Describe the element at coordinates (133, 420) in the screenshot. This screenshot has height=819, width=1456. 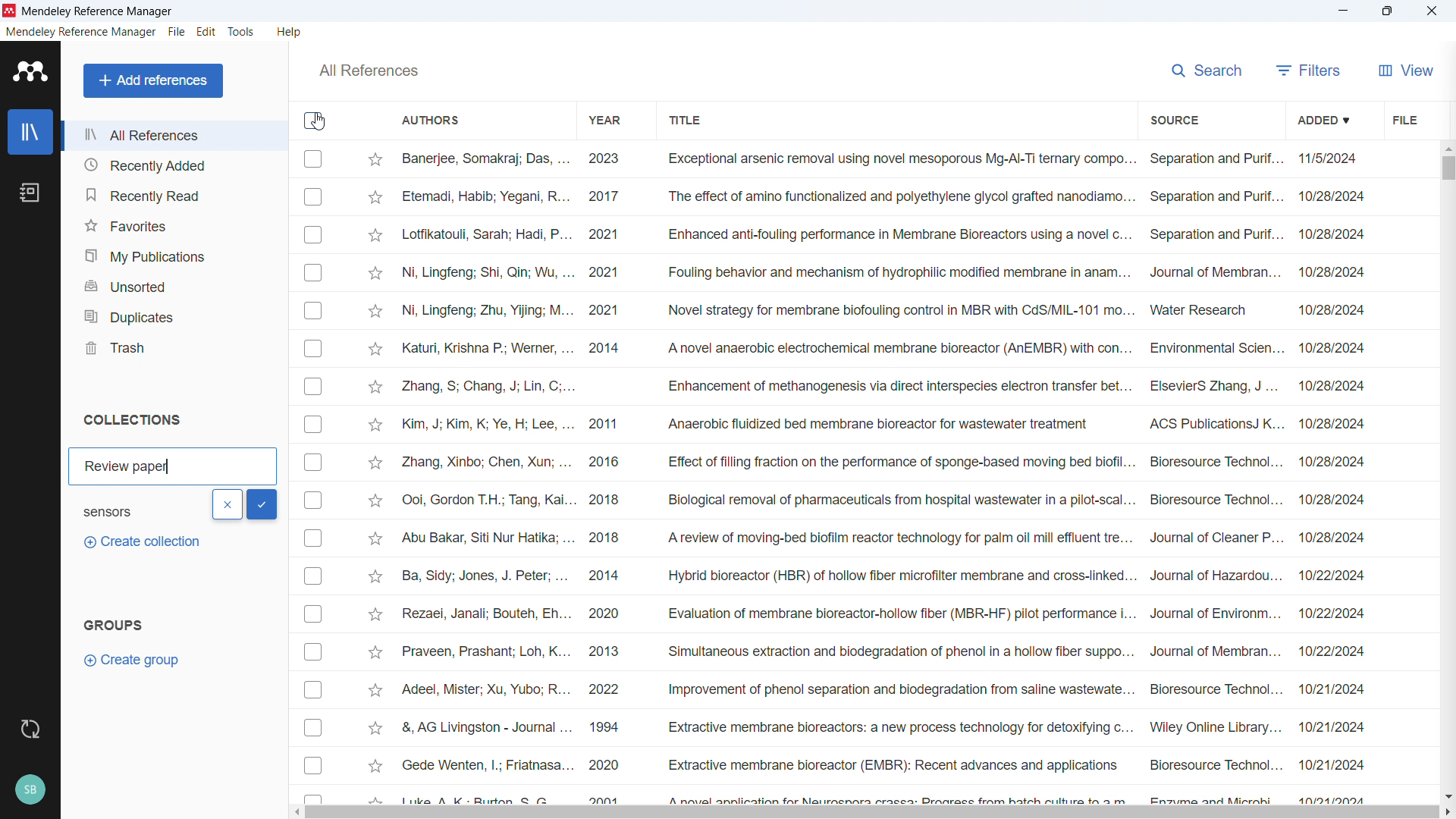
I see `Collections ` at that location.